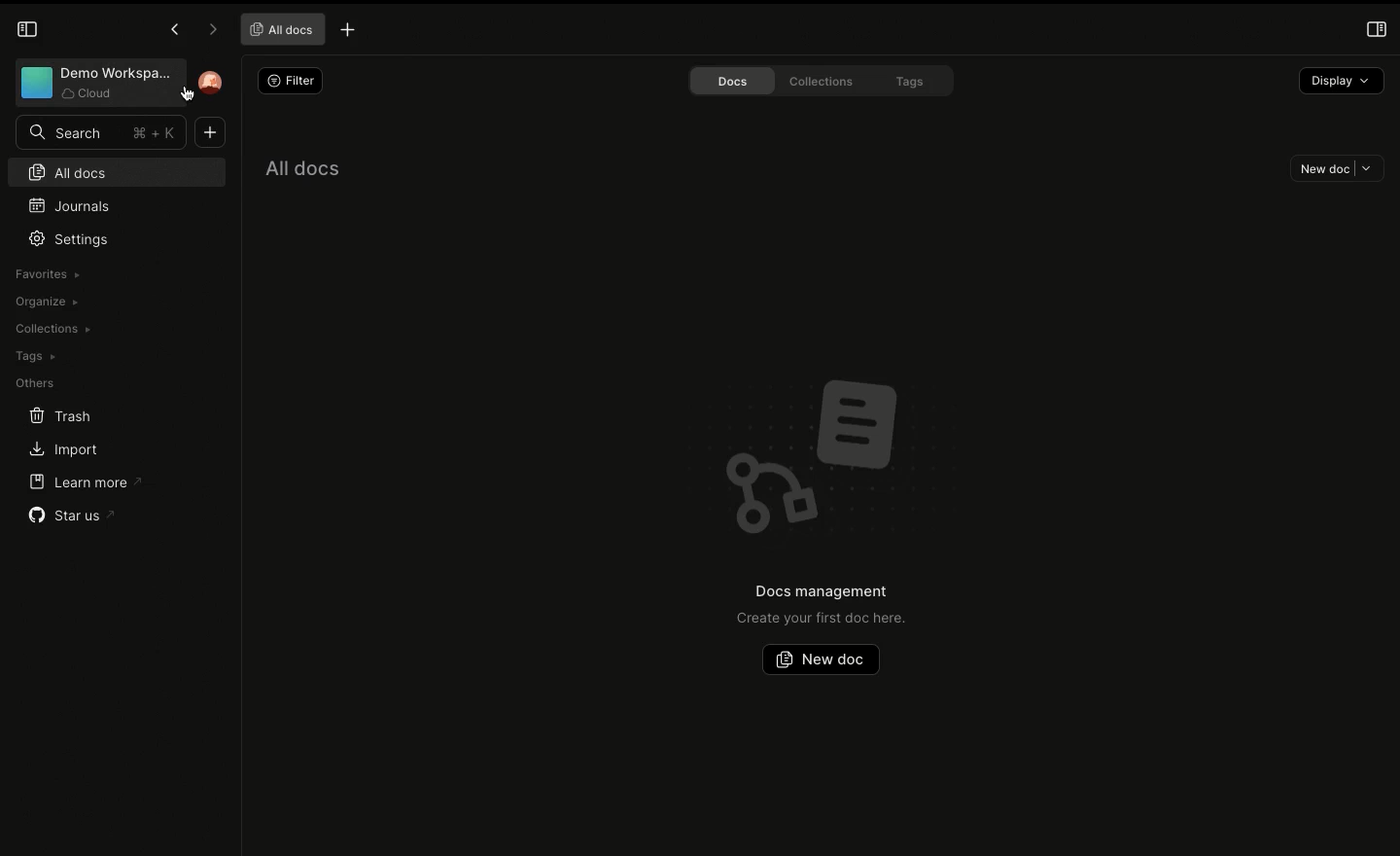 The width and height of the screenshot is (1400, 856). What do you see at coordinates (70, 512) in the screenshot?
I see `Star us` at bounding box center [70, 512].